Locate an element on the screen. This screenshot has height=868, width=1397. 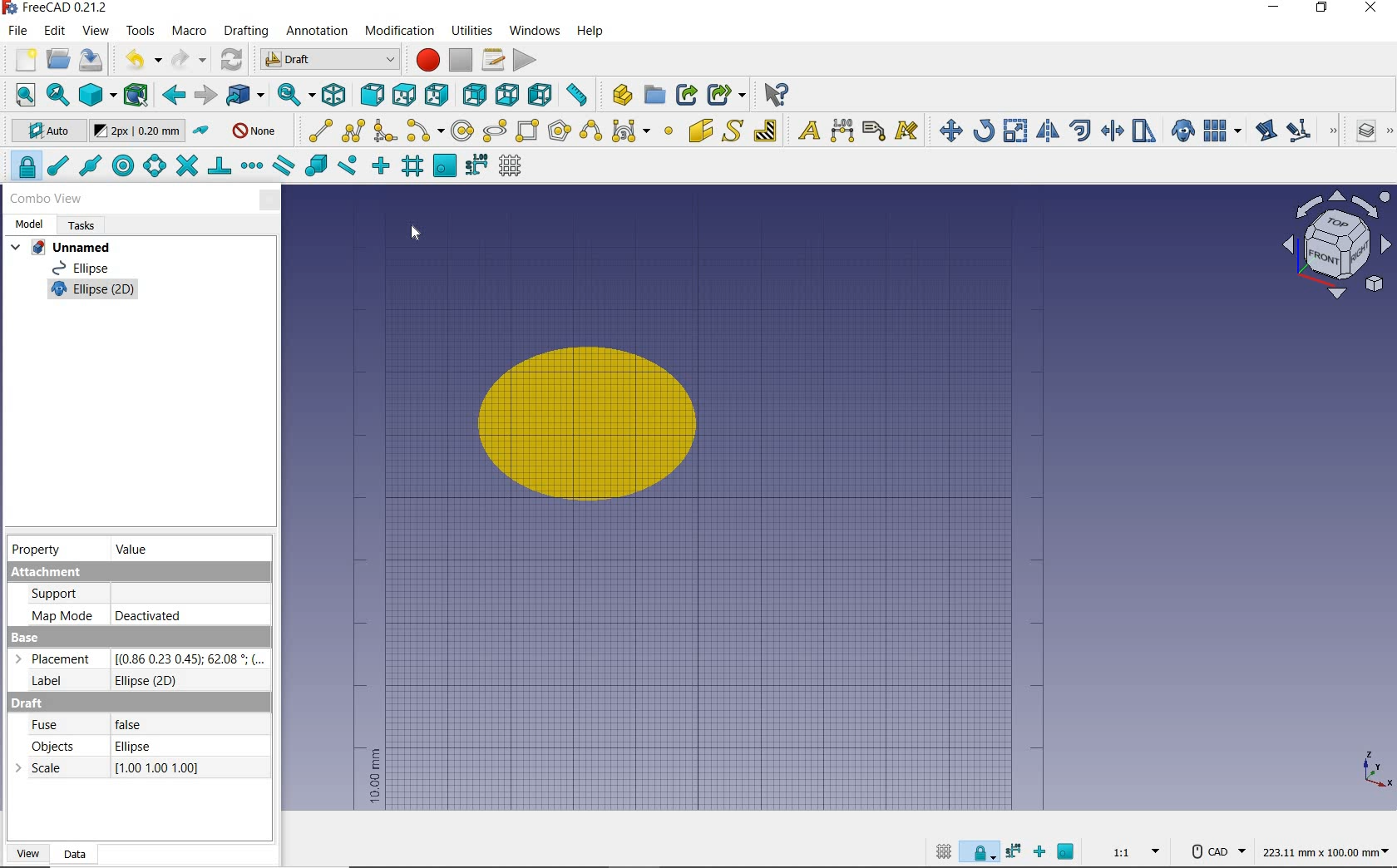
b-spline is located at coordinates (590, 131).